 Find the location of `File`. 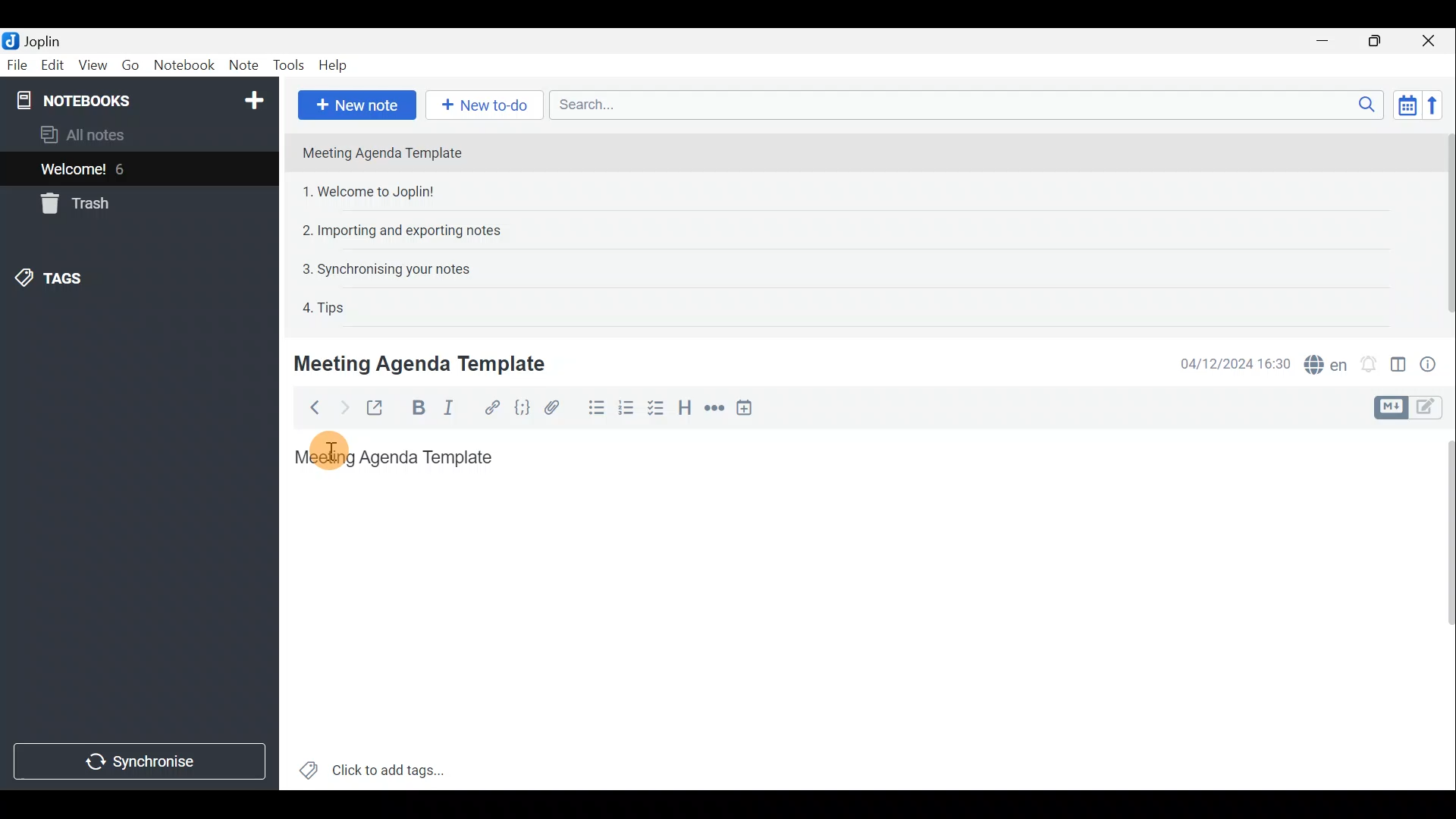

File is located at coordinates (17, 64).